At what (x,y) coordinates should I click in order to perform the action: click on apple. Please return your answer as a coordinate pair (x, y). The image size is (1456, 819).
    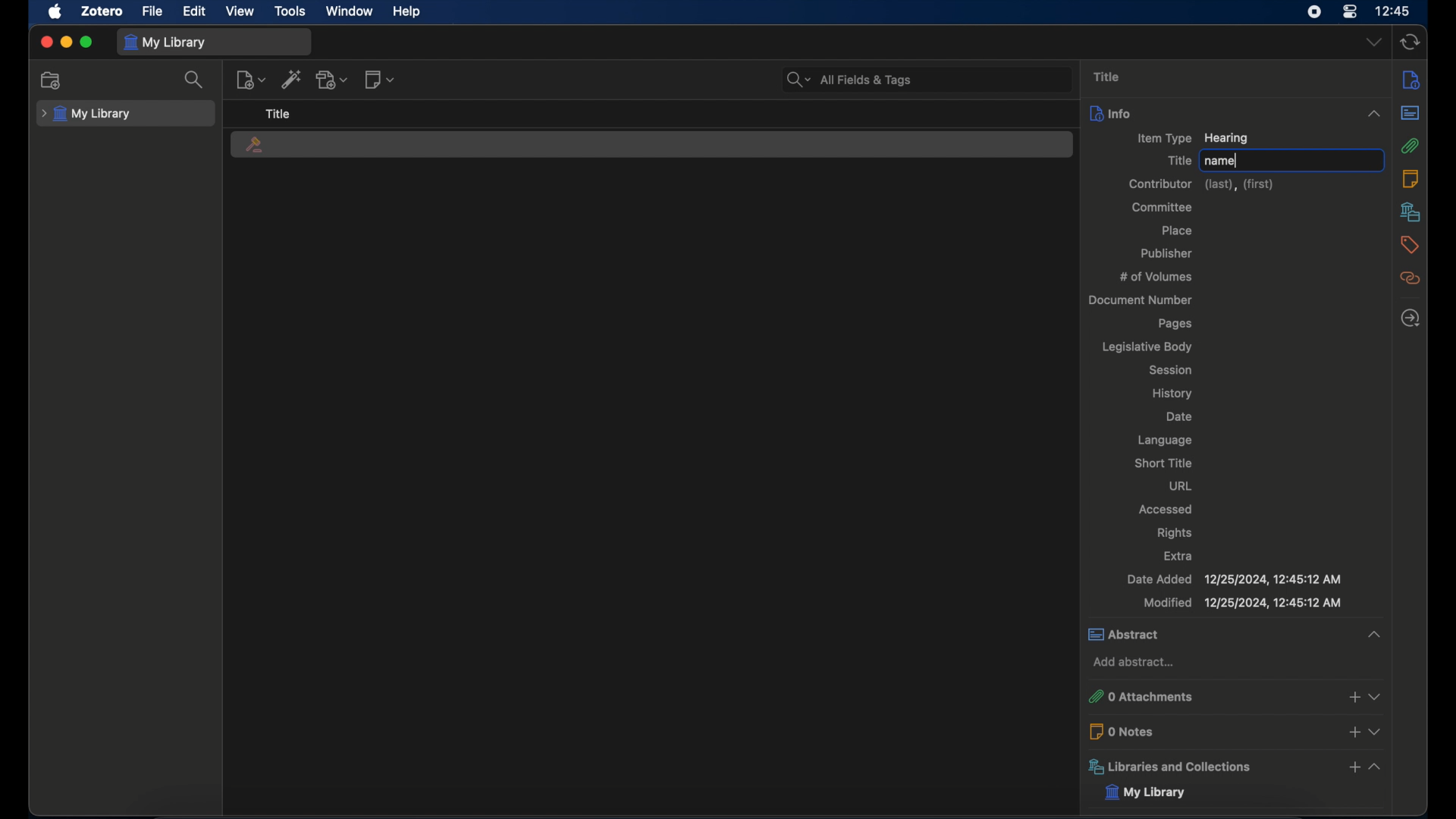
    Looking at the image, I should click on (56, 11).